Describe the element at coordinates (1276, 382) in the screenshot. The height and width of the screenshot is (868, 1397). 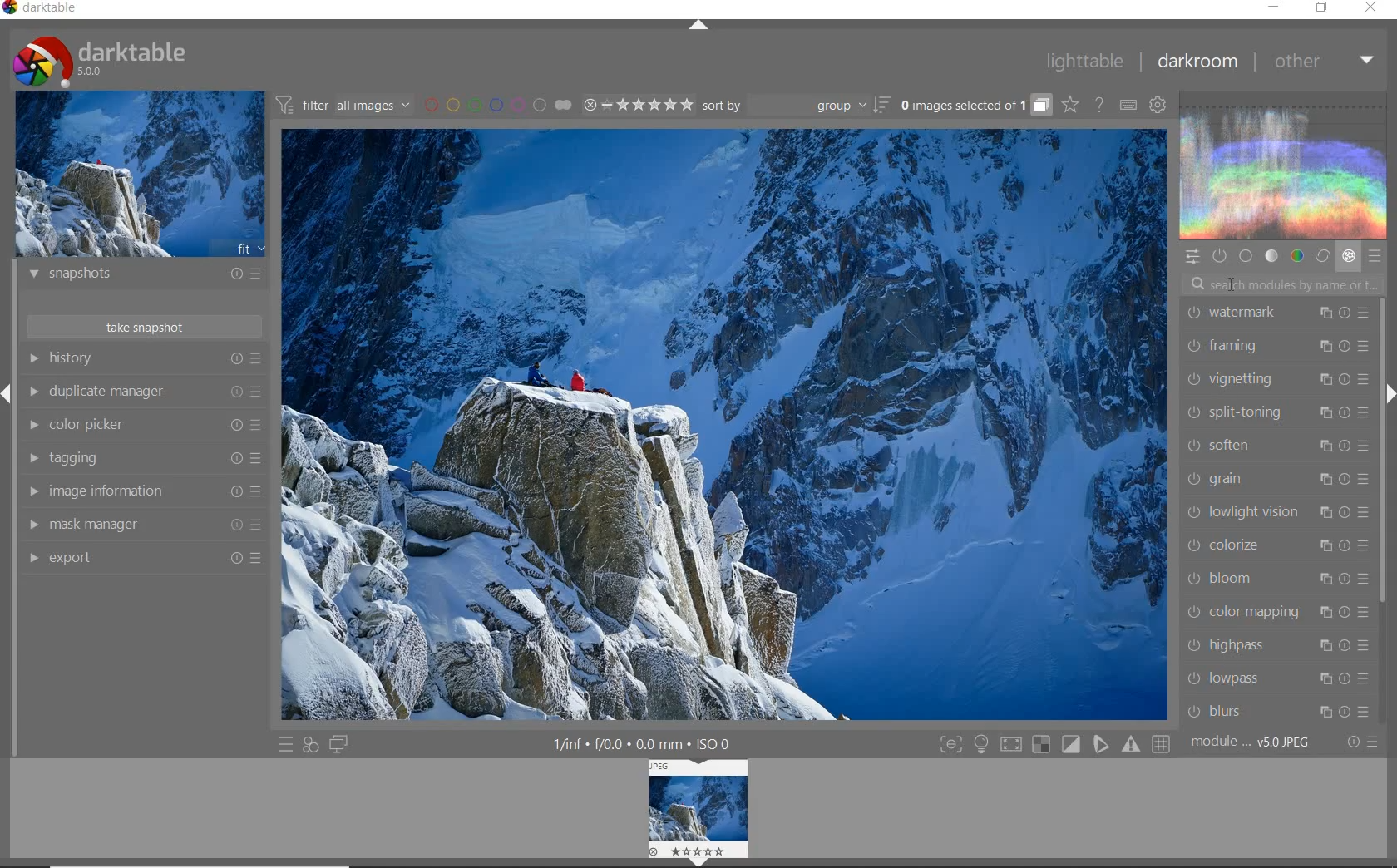
I see `vignetting` at that location.